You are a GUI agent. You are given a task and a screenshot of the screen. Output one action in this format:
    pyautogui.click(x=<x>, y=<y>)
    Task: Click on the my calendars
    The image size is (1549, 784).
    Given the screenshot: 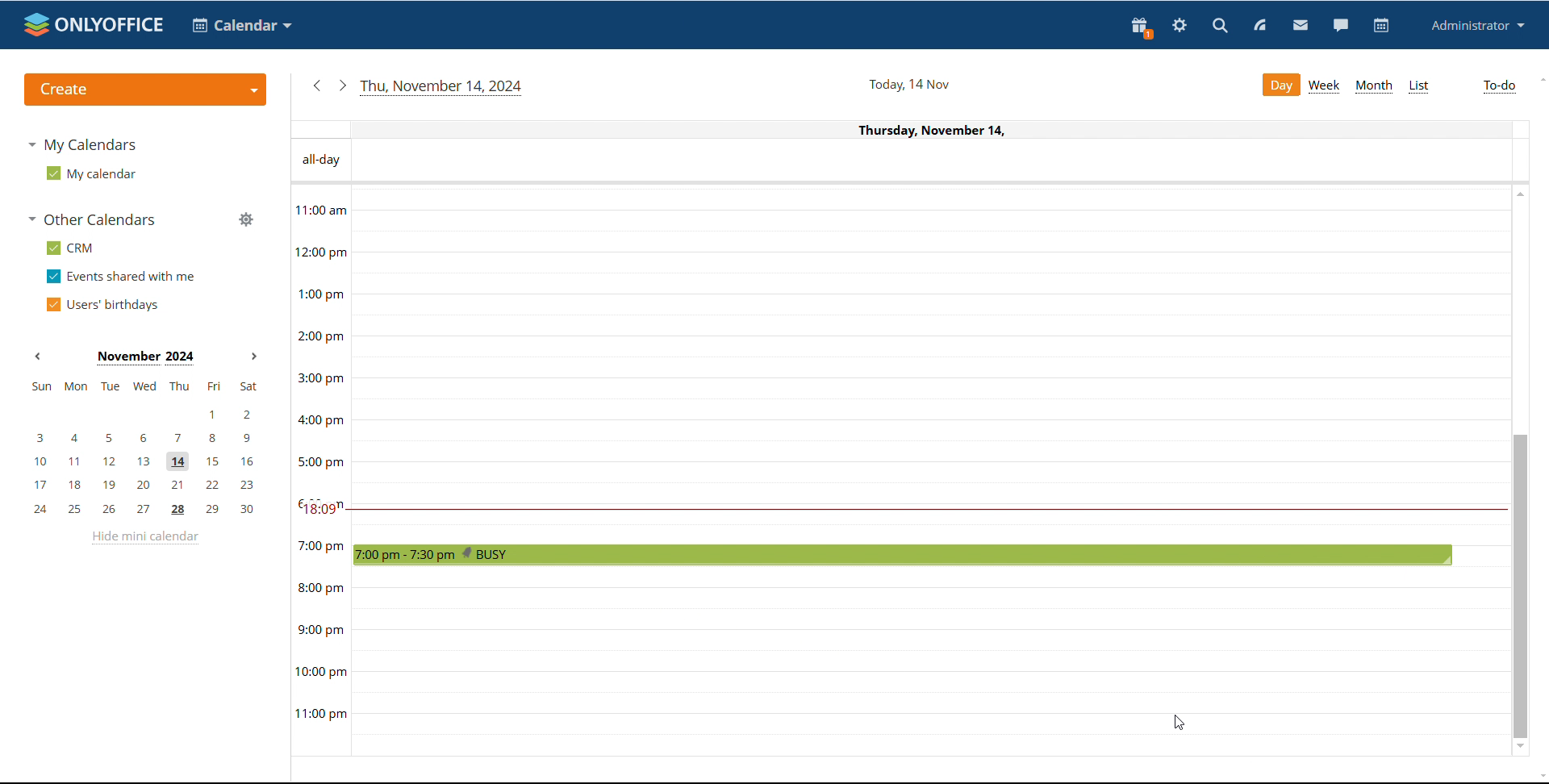 What is the action you would take?
    pyautogui.click(x=82, y=144)
    